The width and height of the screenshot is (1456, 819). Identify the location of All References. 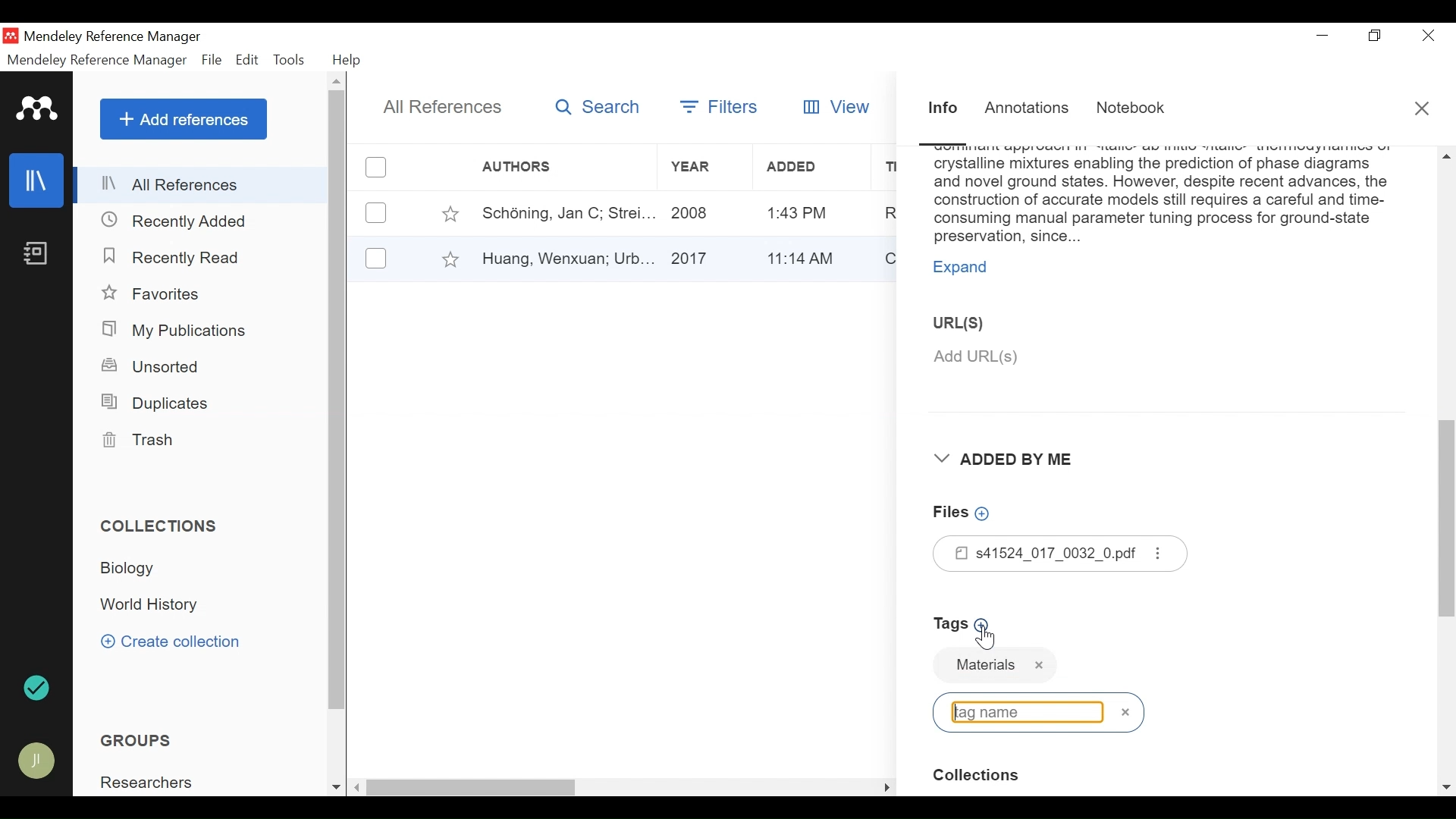
(202, 184).